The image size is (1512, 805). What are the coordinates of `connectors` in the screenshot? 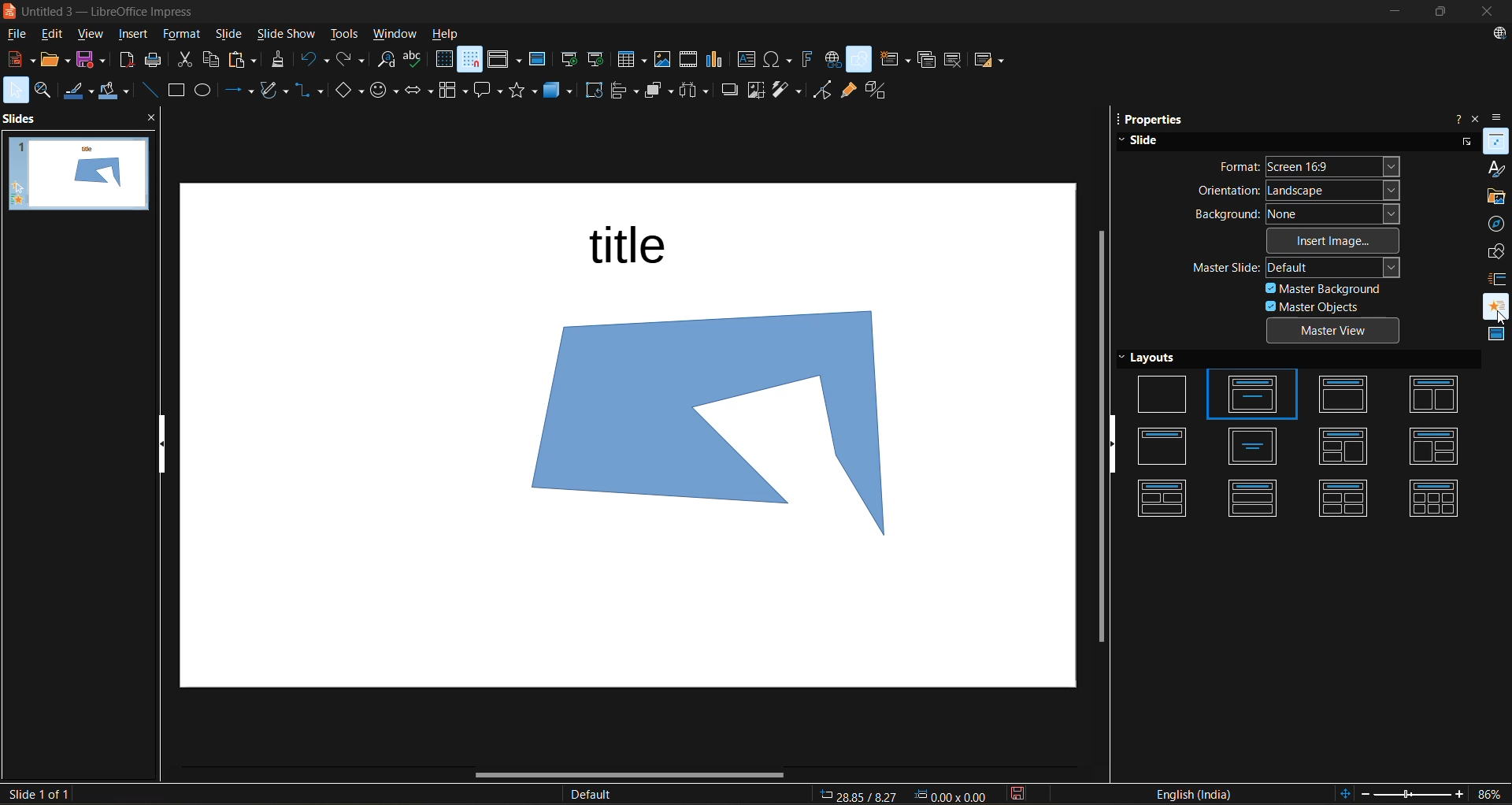 It's located at (311, 91).